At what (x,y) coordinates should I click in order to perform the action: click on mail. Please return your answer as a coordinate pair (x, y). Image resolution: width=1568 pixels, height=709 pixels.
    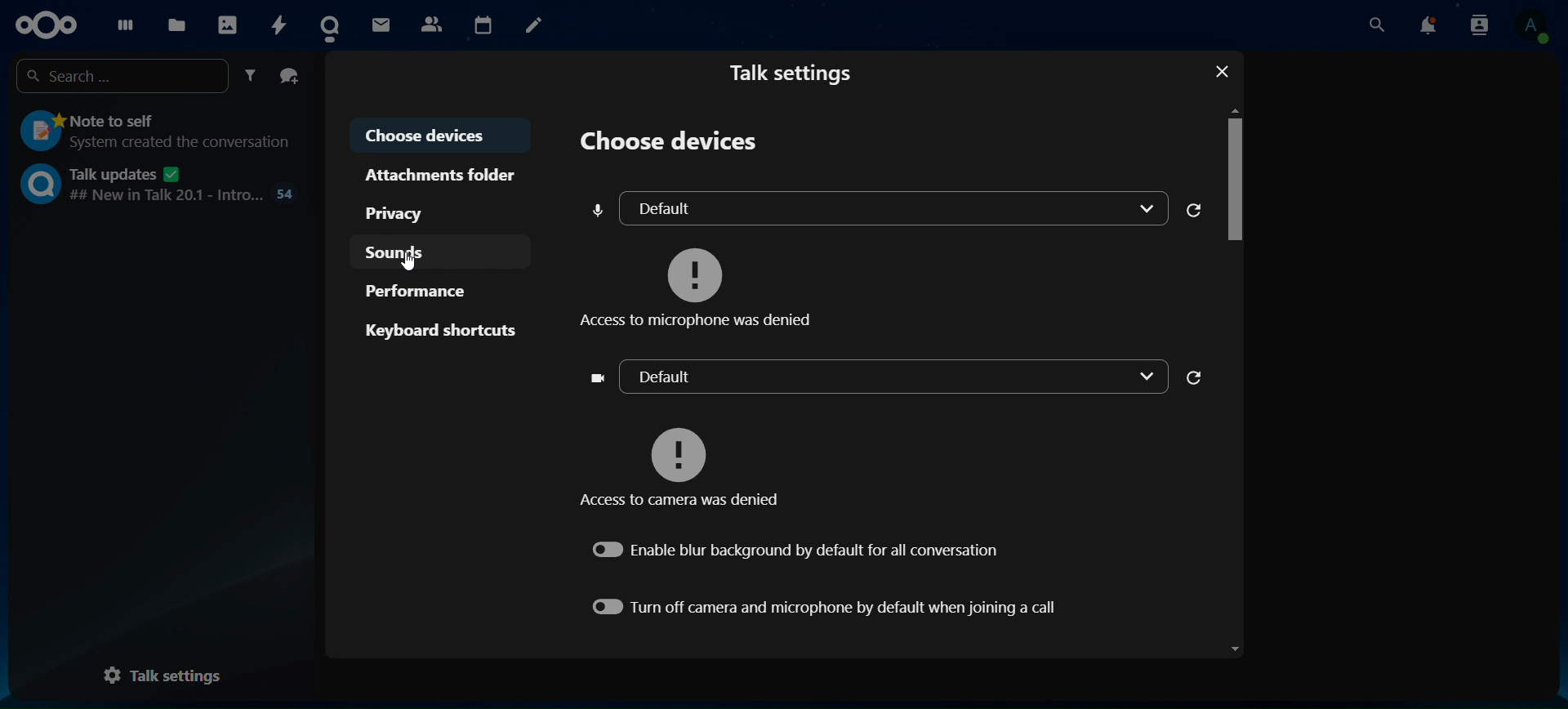
    Looking at the image, I should click on (381, 24).